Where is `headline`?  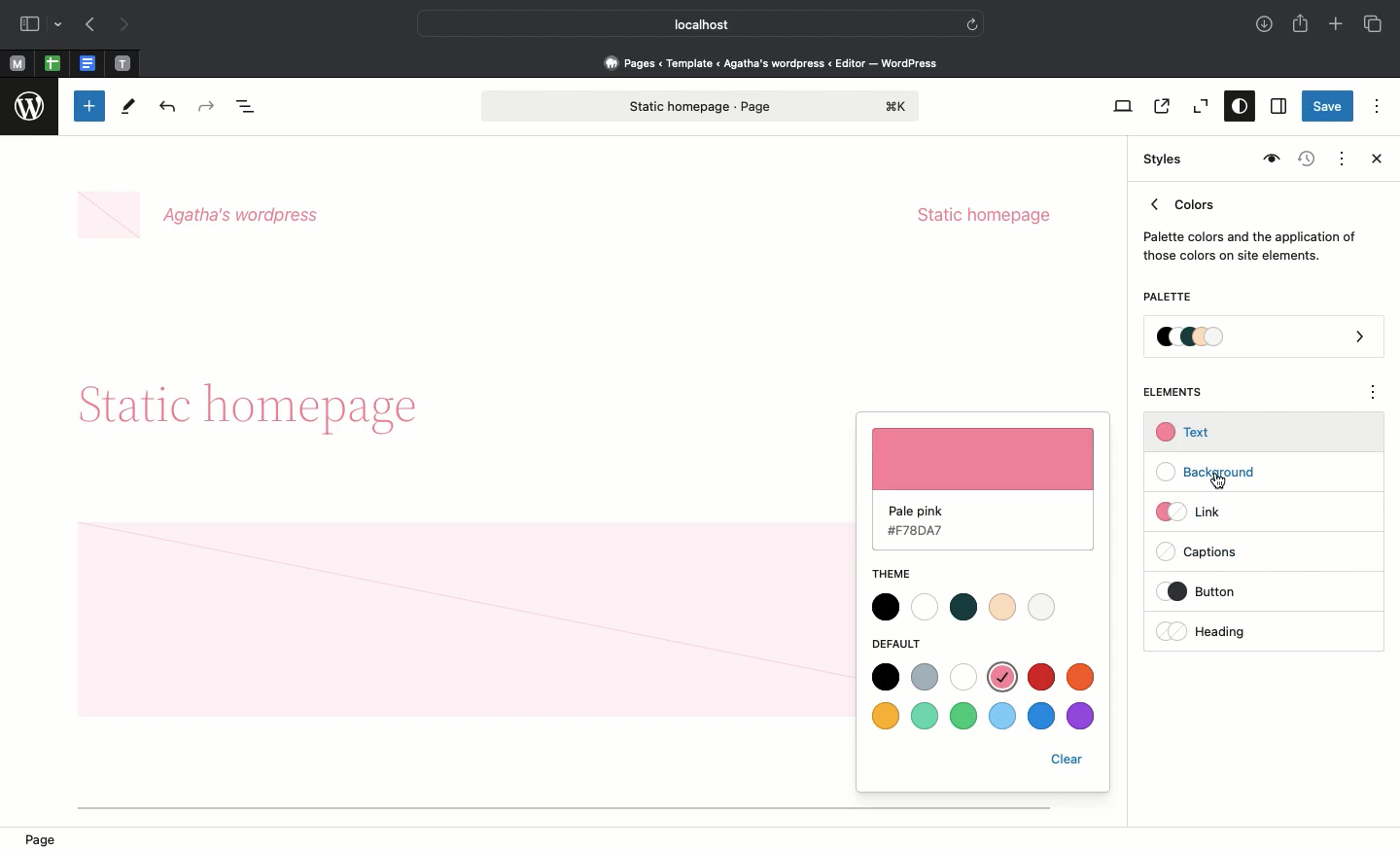 headline is located at coordinates (277, 408).